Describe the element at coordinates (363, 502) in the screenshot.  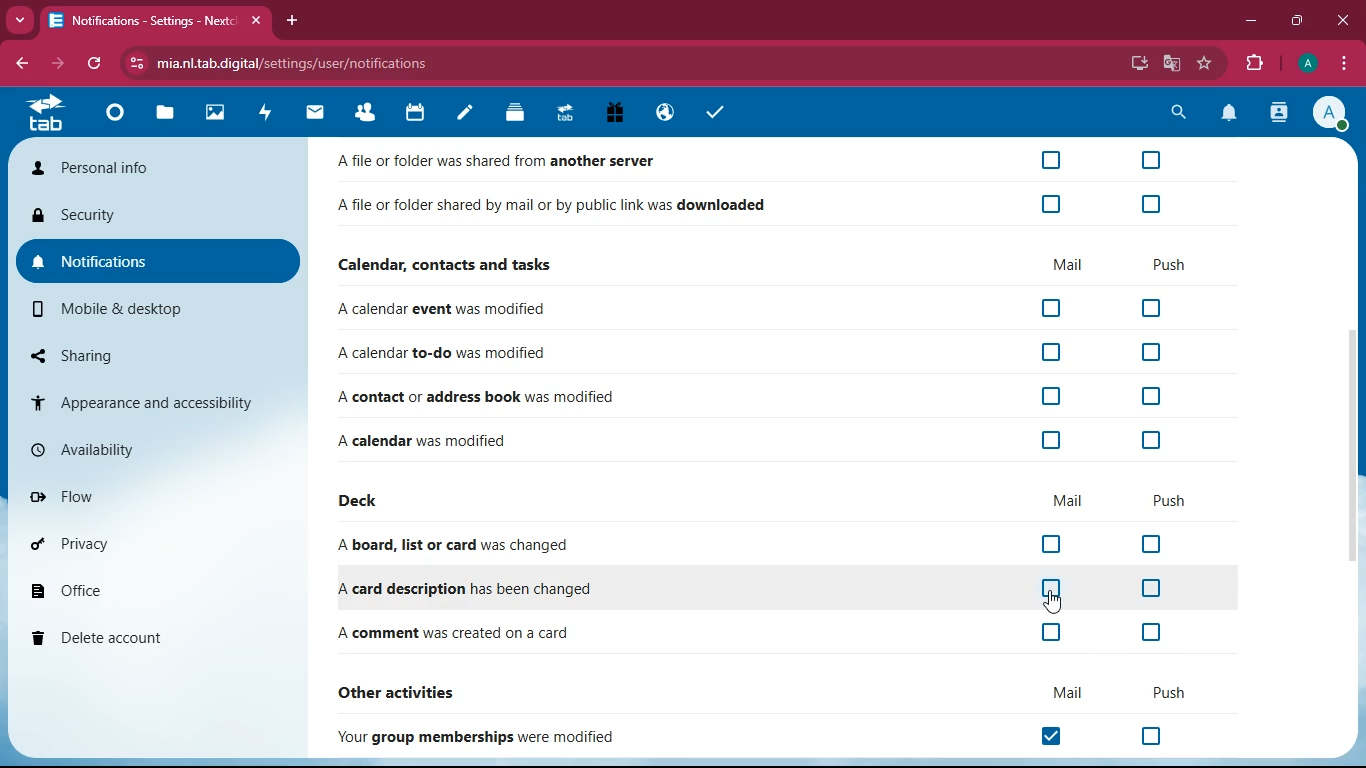
I see `deck` at that location.